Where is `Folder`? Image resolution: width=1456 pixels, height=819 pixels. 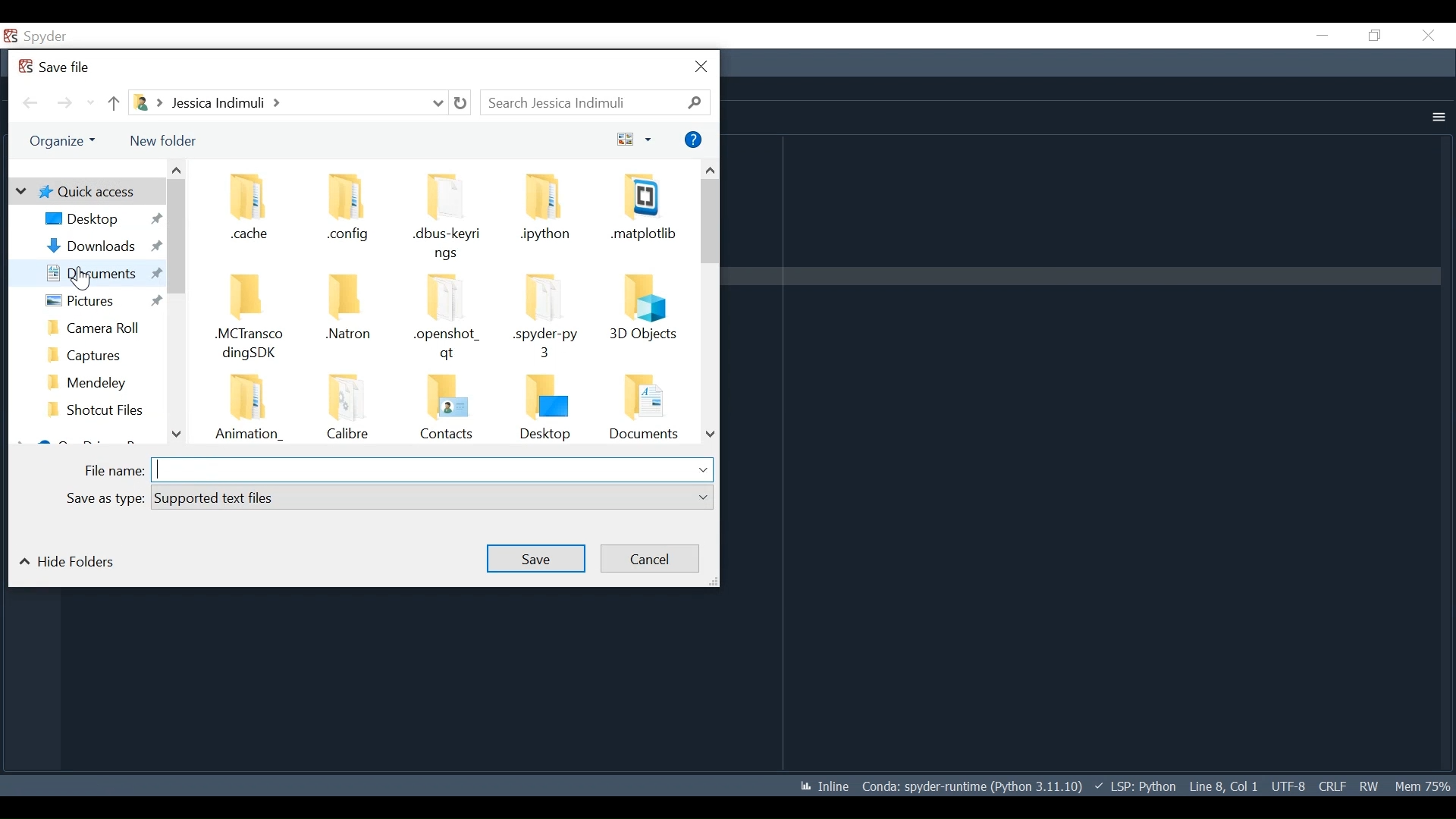
Folder is located at coordinates (447, 317).